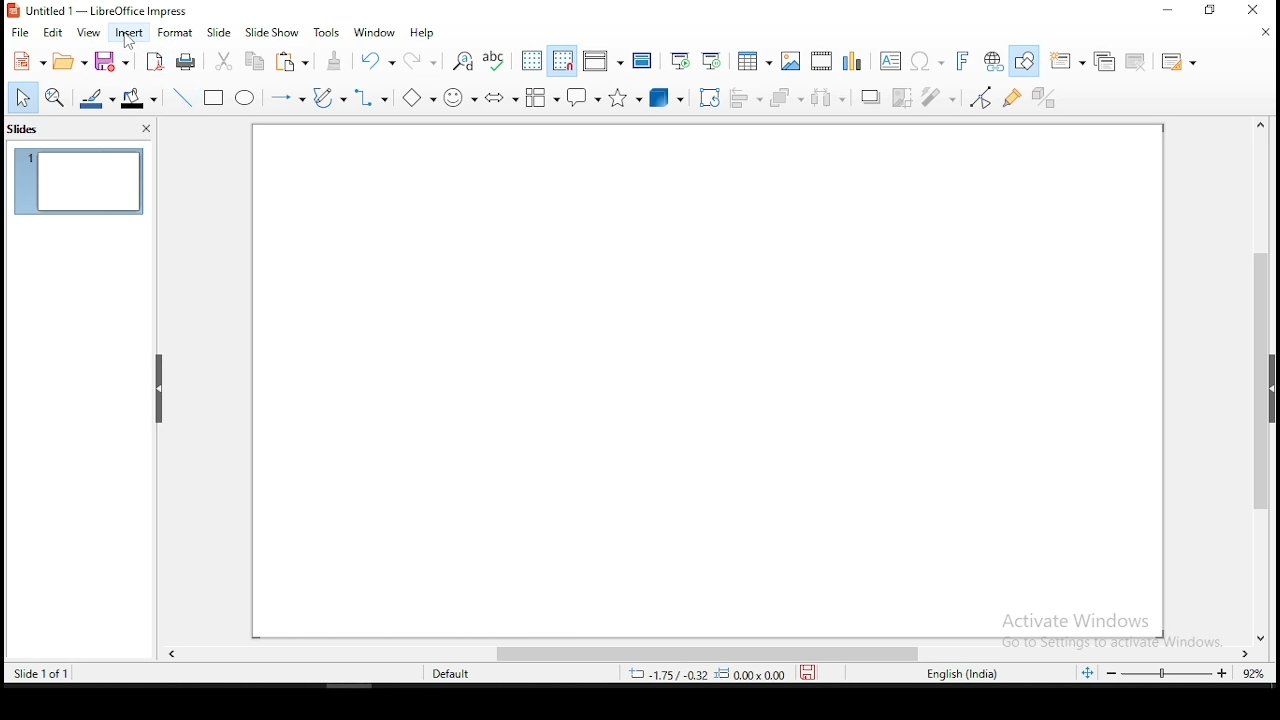  I want to click on start from current slide, so click(715, 59).